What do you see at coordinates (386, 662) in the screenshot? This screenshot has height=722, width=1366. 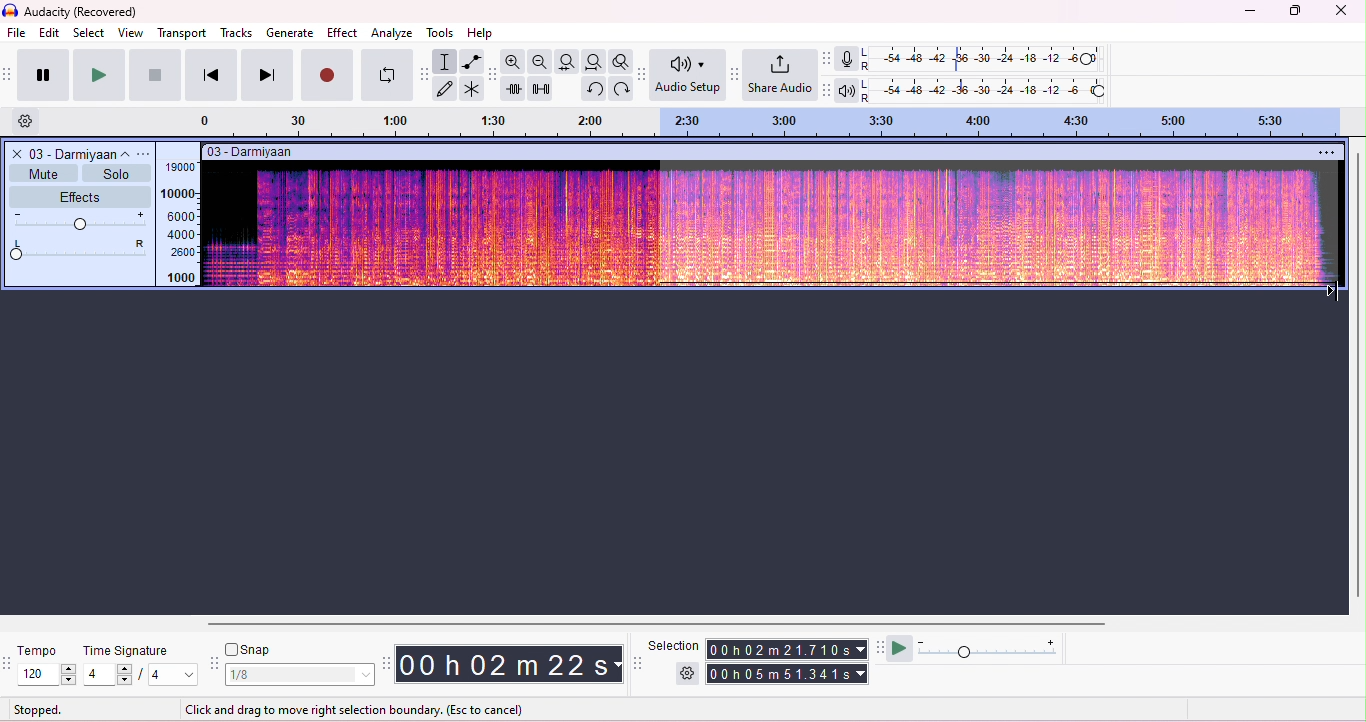 I see `time tool` at bounding box center [386, 662].